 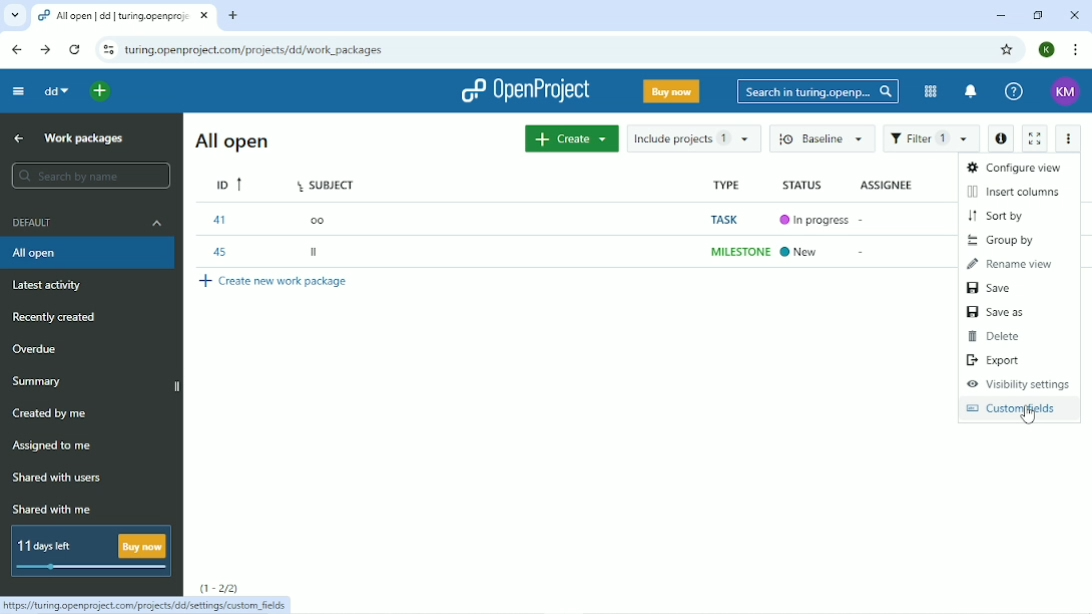 I want to click on Status, so click(x=802, y=184).